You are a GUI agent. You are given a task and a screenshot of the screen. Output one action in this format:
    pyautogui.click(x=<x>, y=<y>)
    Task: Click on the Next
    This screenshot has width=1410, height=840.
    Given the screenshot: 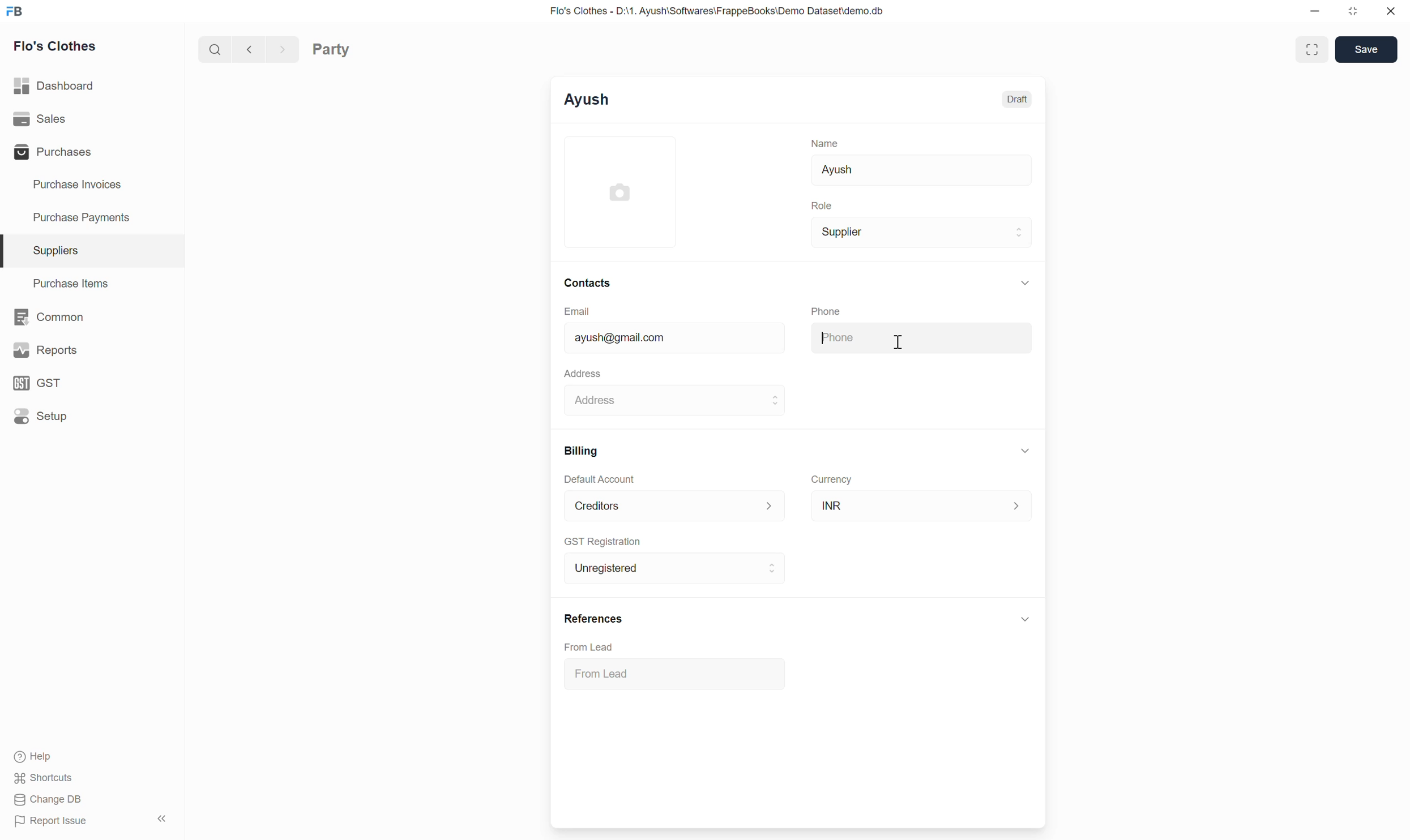 What is the action you would take?
    pyautogui.click(x=283, y=49)
    